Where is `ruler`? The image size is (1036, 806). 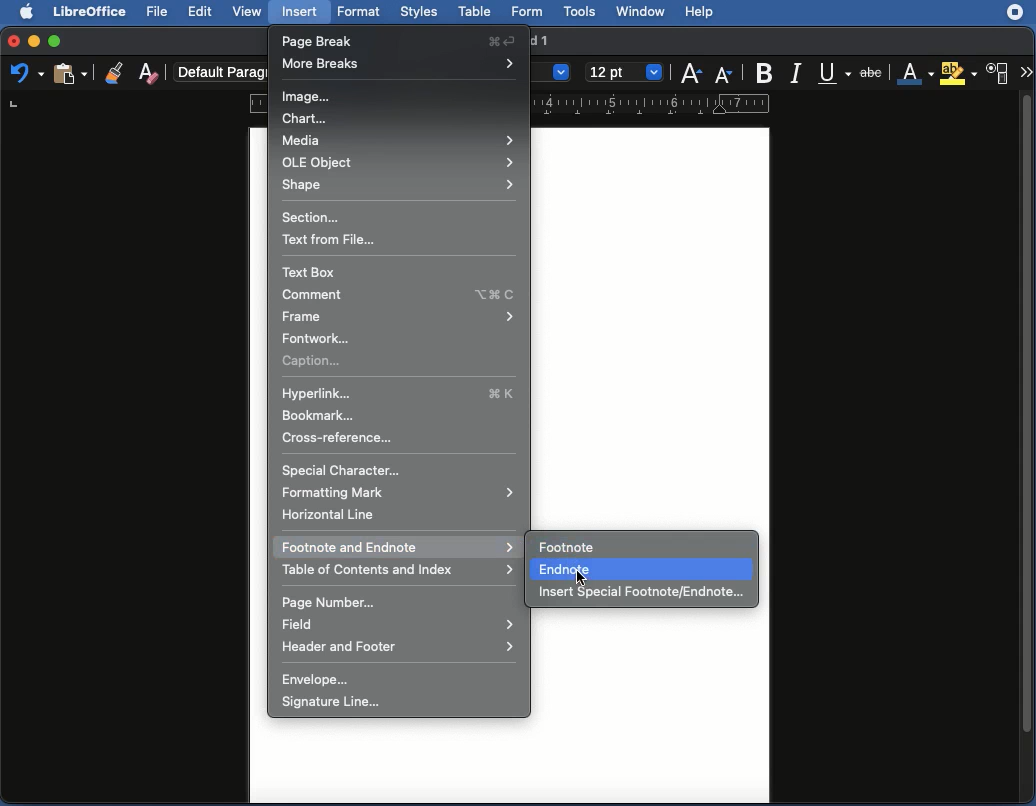 ruler is located at coordinates (258, 104).